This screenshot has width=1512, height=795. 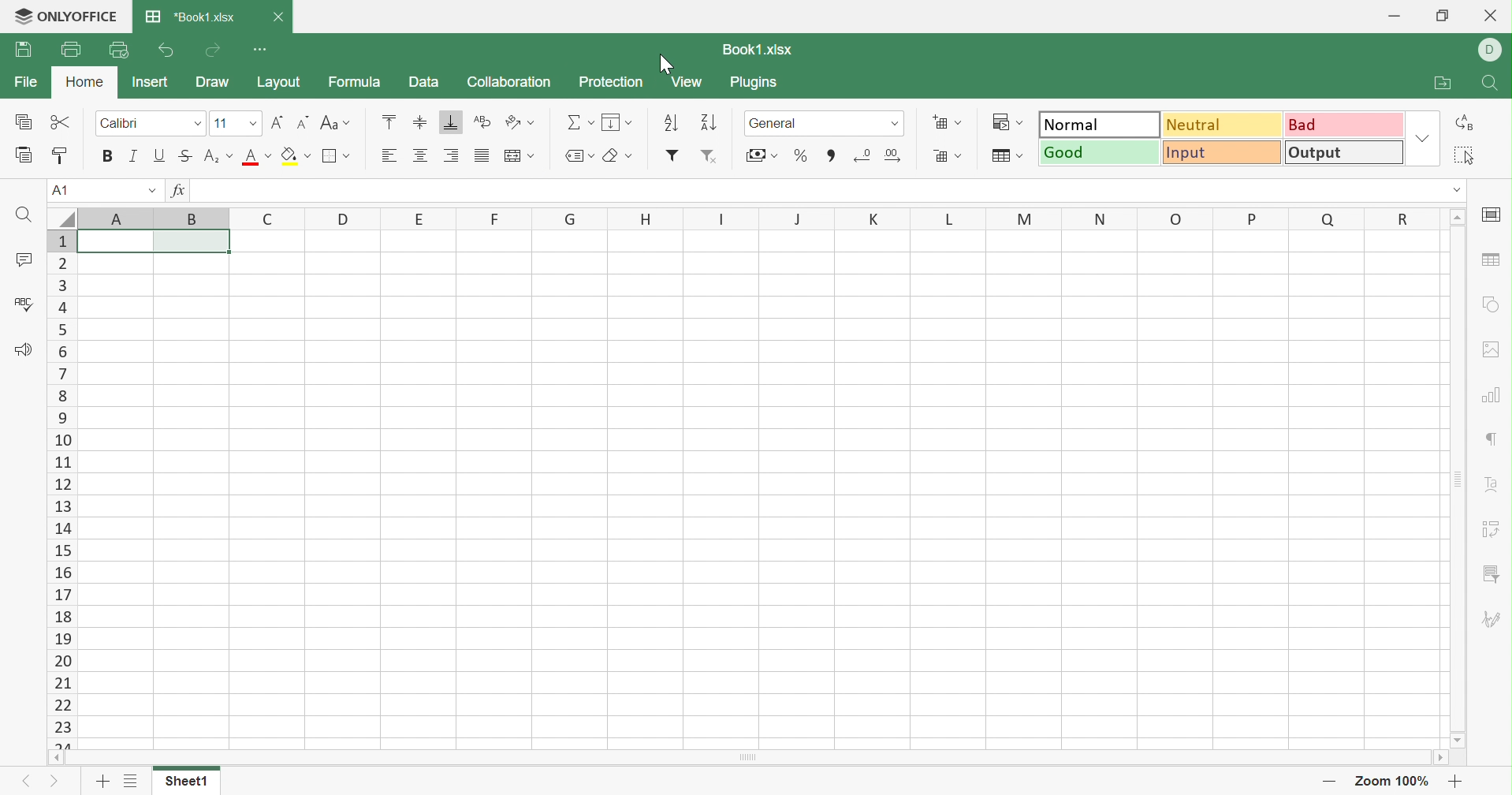 What do you see at coordinates (1100, 122) in the screenshot?
I see `Normal` at bounding box center [1100, 122].